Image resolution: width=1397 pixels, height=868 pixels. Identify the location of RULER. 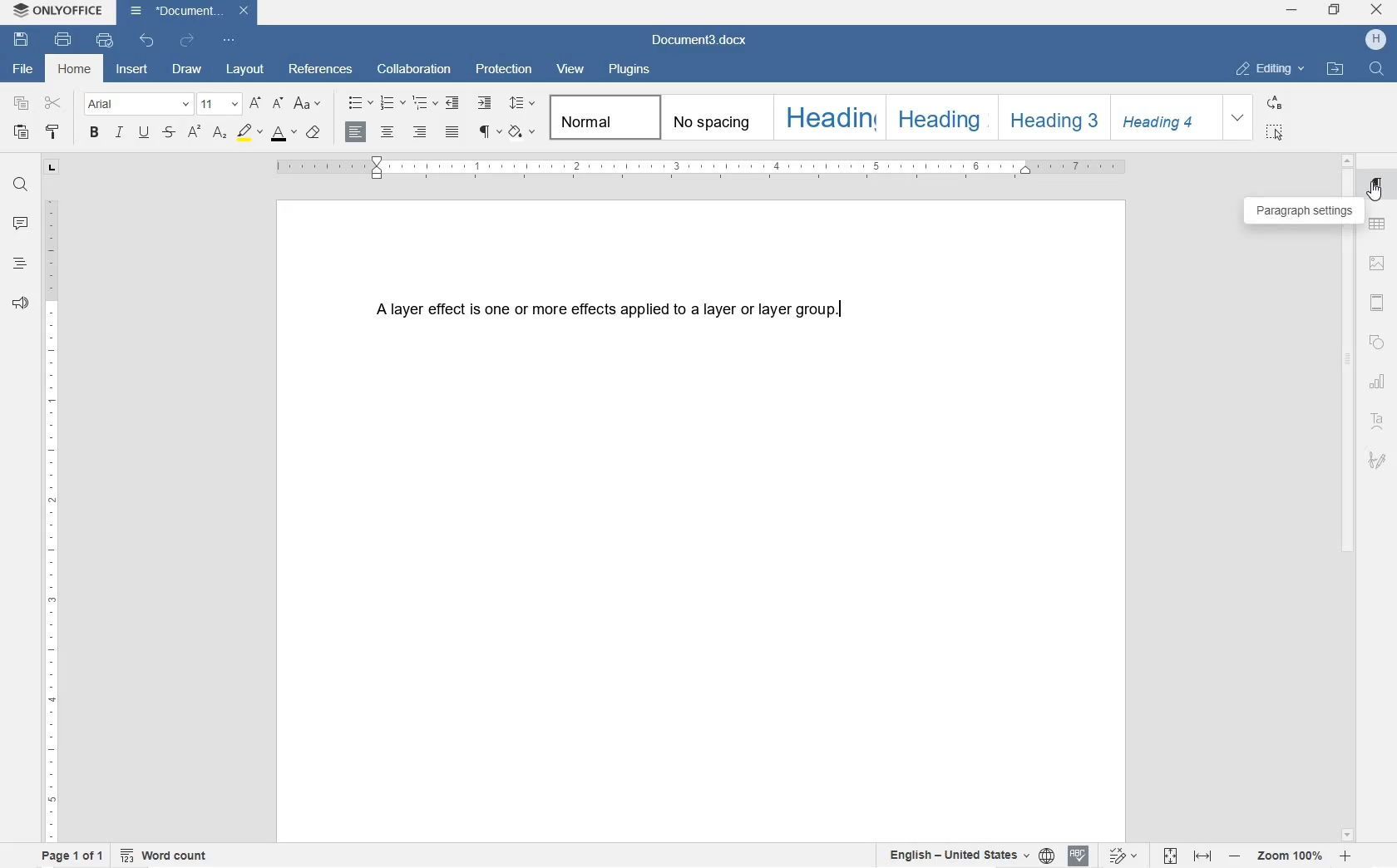
(706, 168).